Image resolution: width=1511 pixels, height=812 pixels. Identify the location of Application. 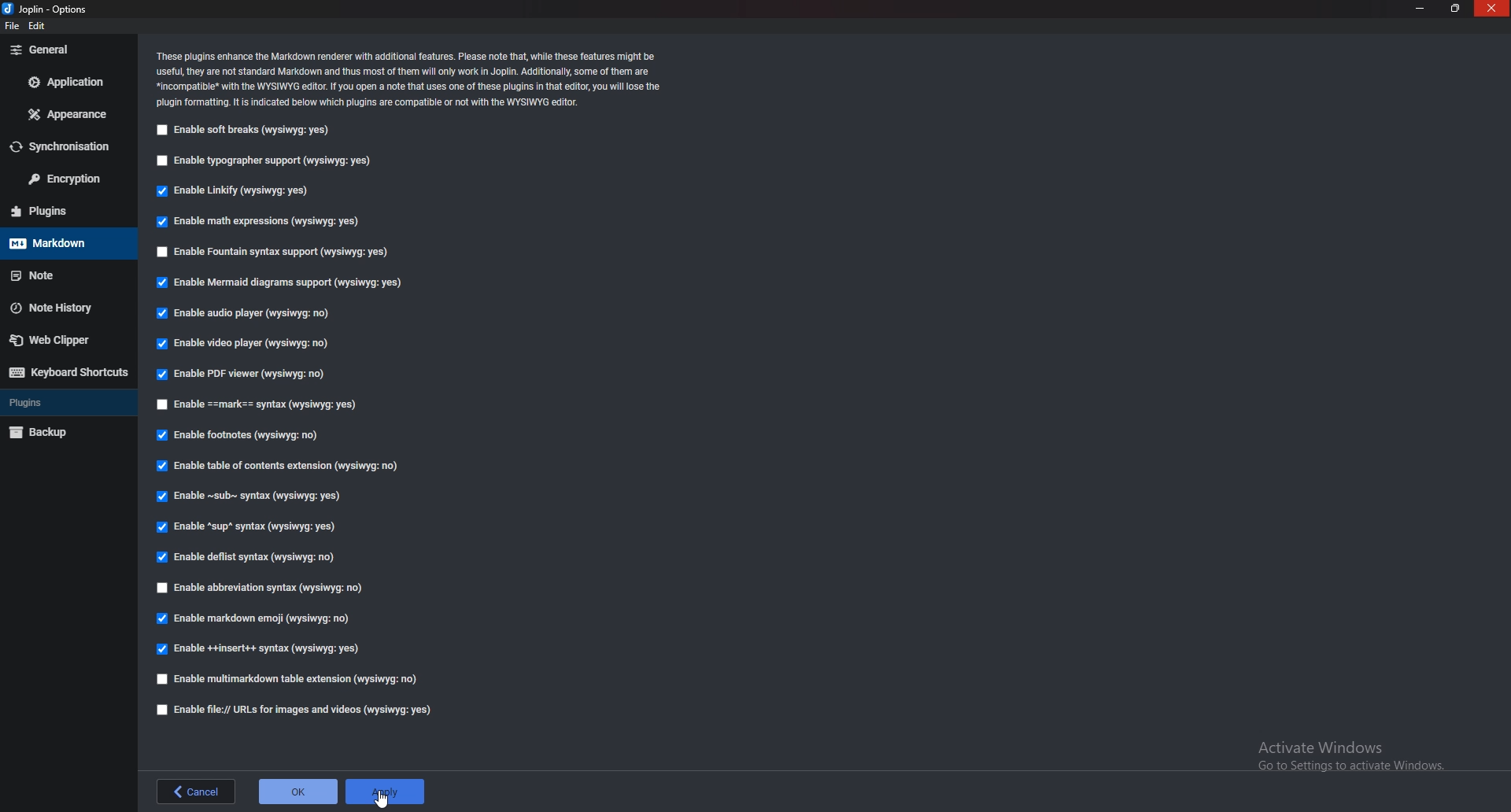
(65, 83).